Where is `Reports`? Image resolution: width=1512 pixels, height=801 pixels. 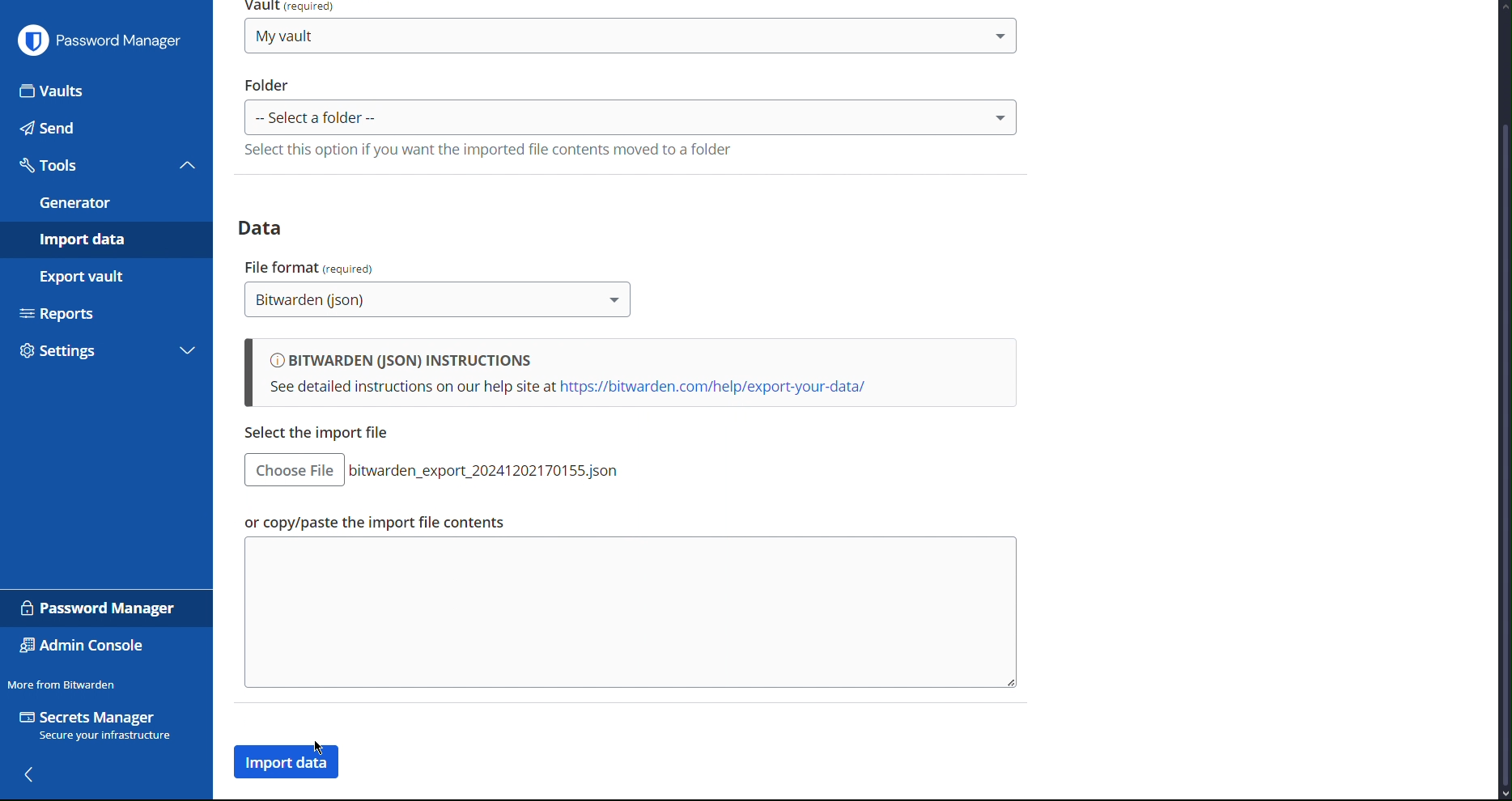
Reports is located at coordinates (104, 311).